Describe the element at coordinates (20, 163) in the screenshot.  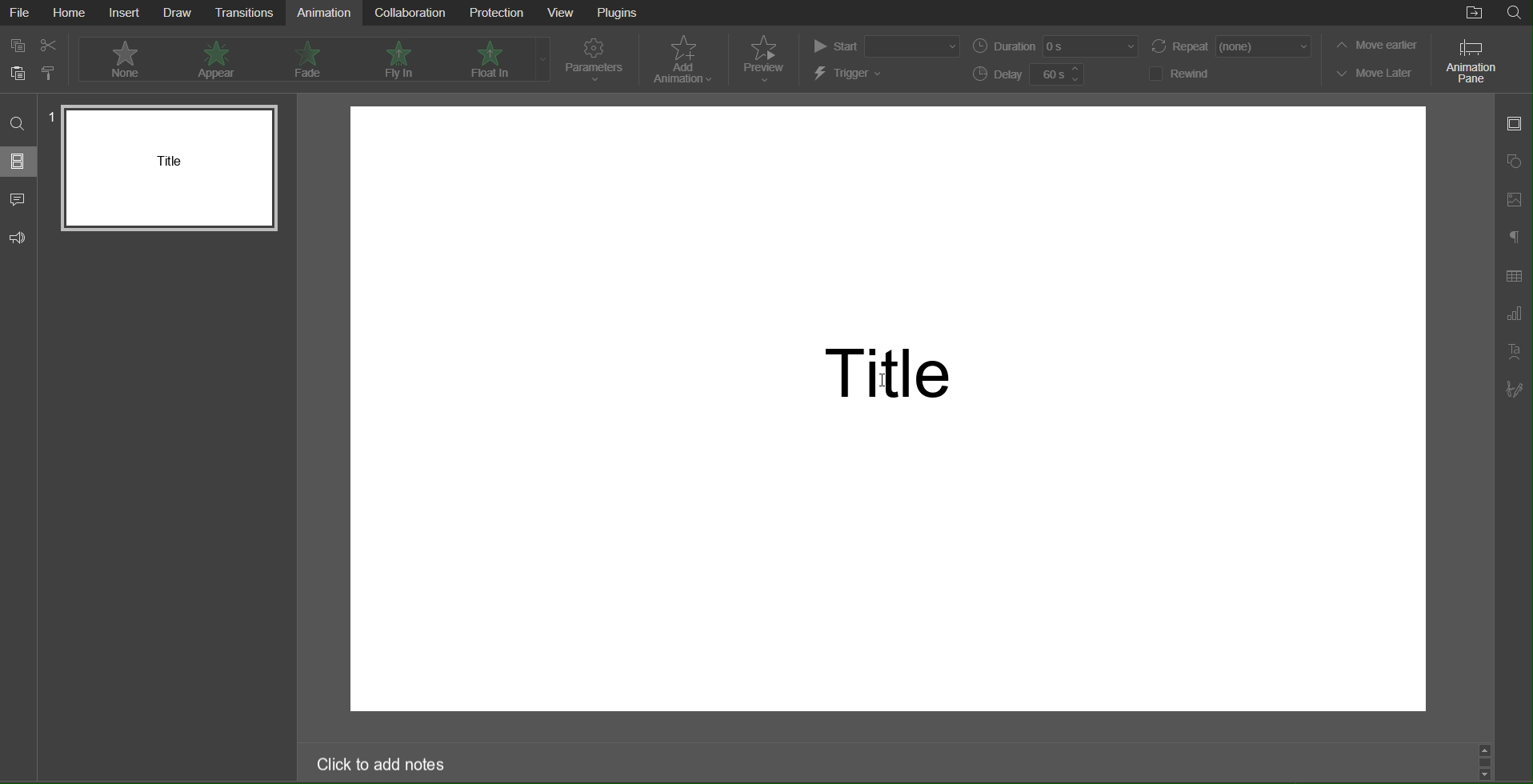
I see `Slides` at that location.